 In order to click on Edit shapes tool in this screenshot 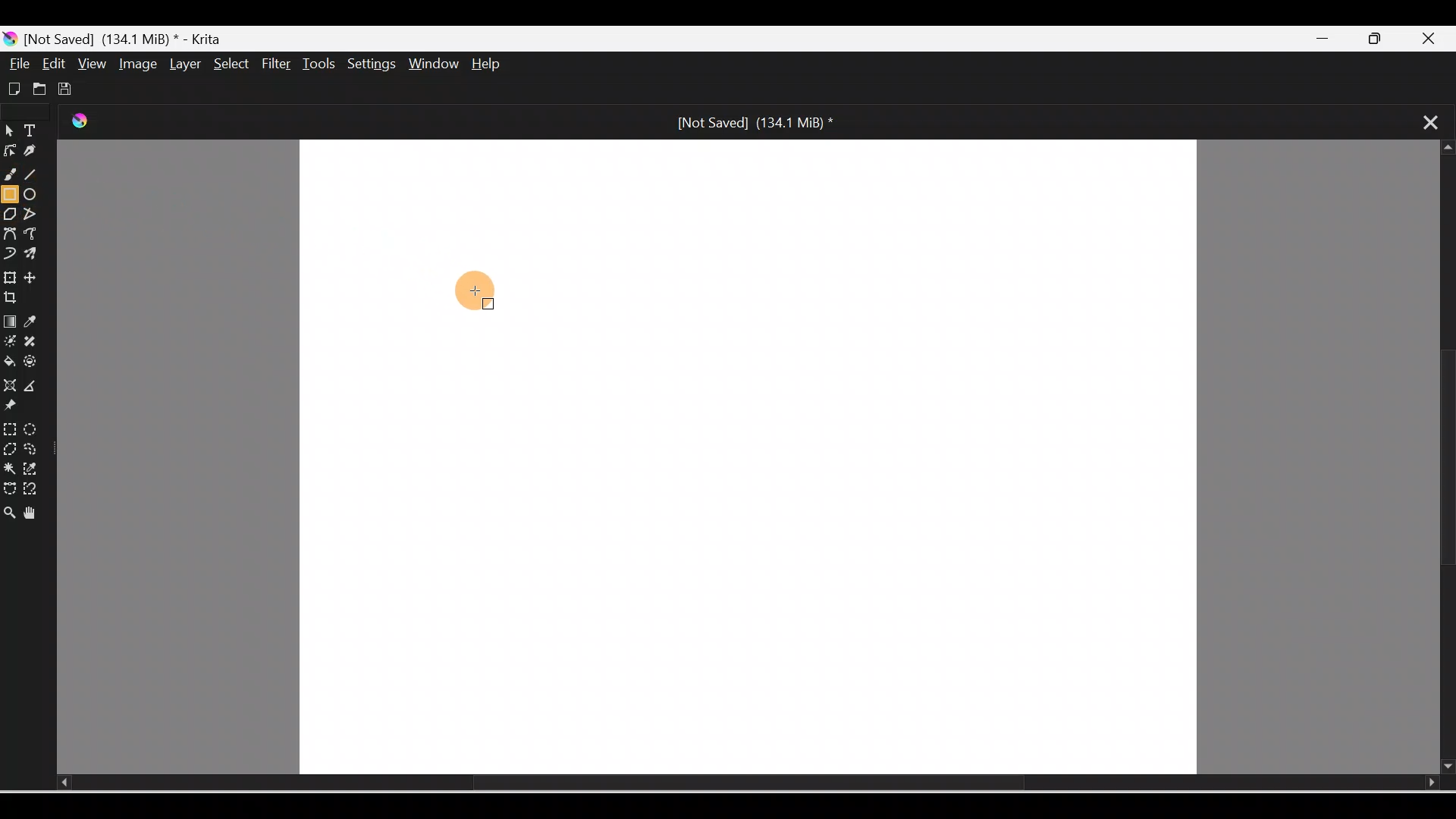, I will do `click(9, 155)`.